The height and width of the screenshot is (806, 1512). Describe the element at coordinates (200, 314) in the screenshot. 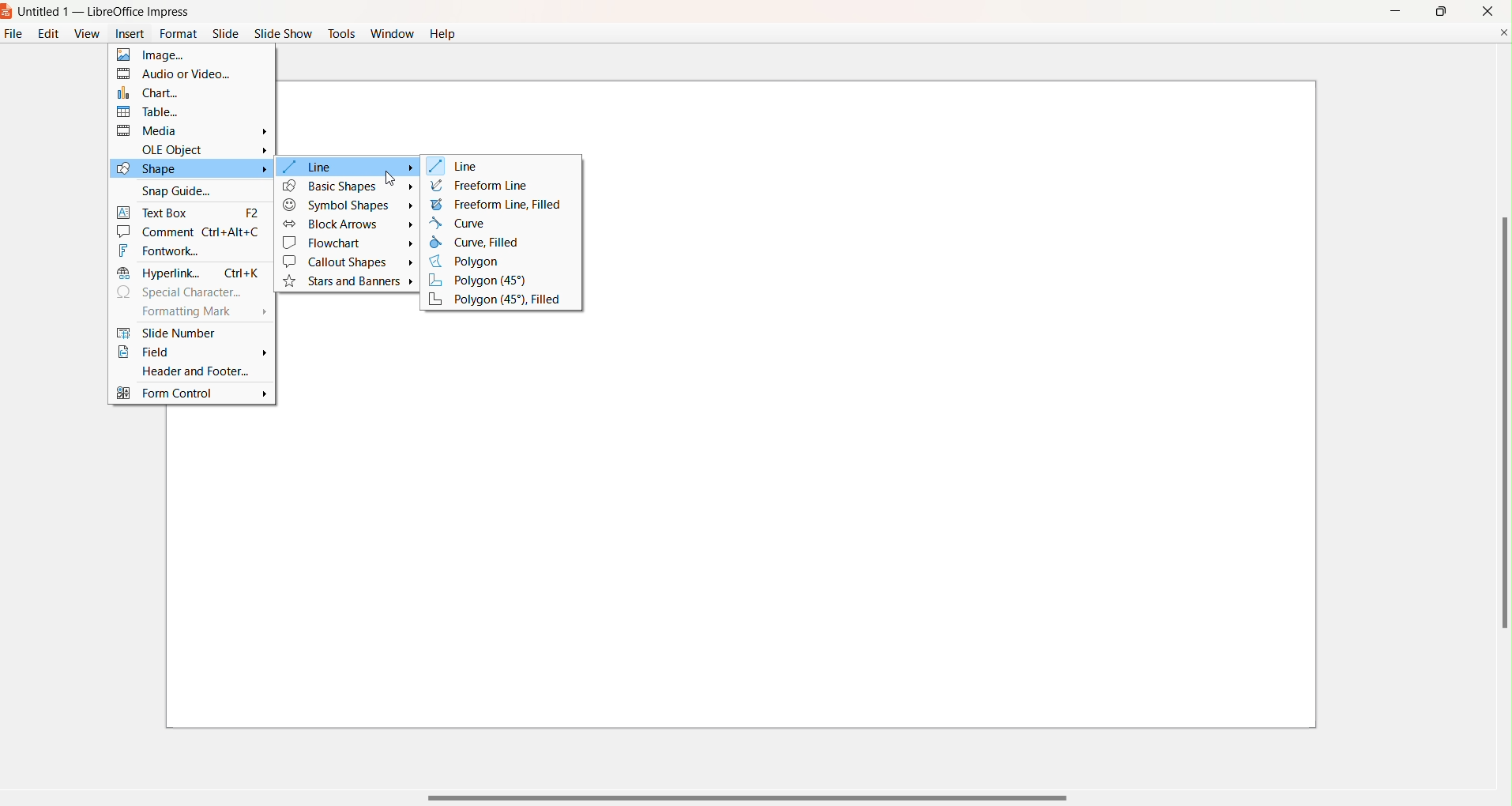

I see `Formatting Mark` at that location.